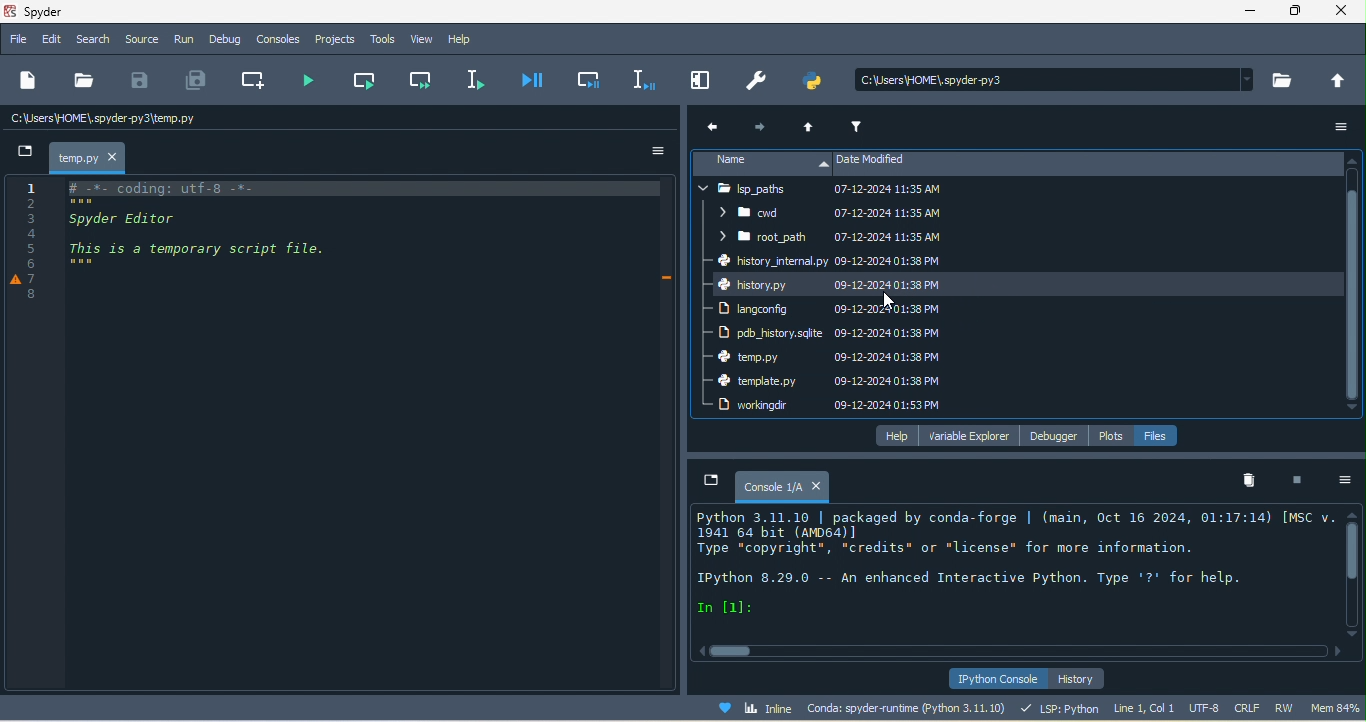  What do you see at coordinates (763, 407) in the screenshot?
I see `workingdir` at bounding box center [763, 407].